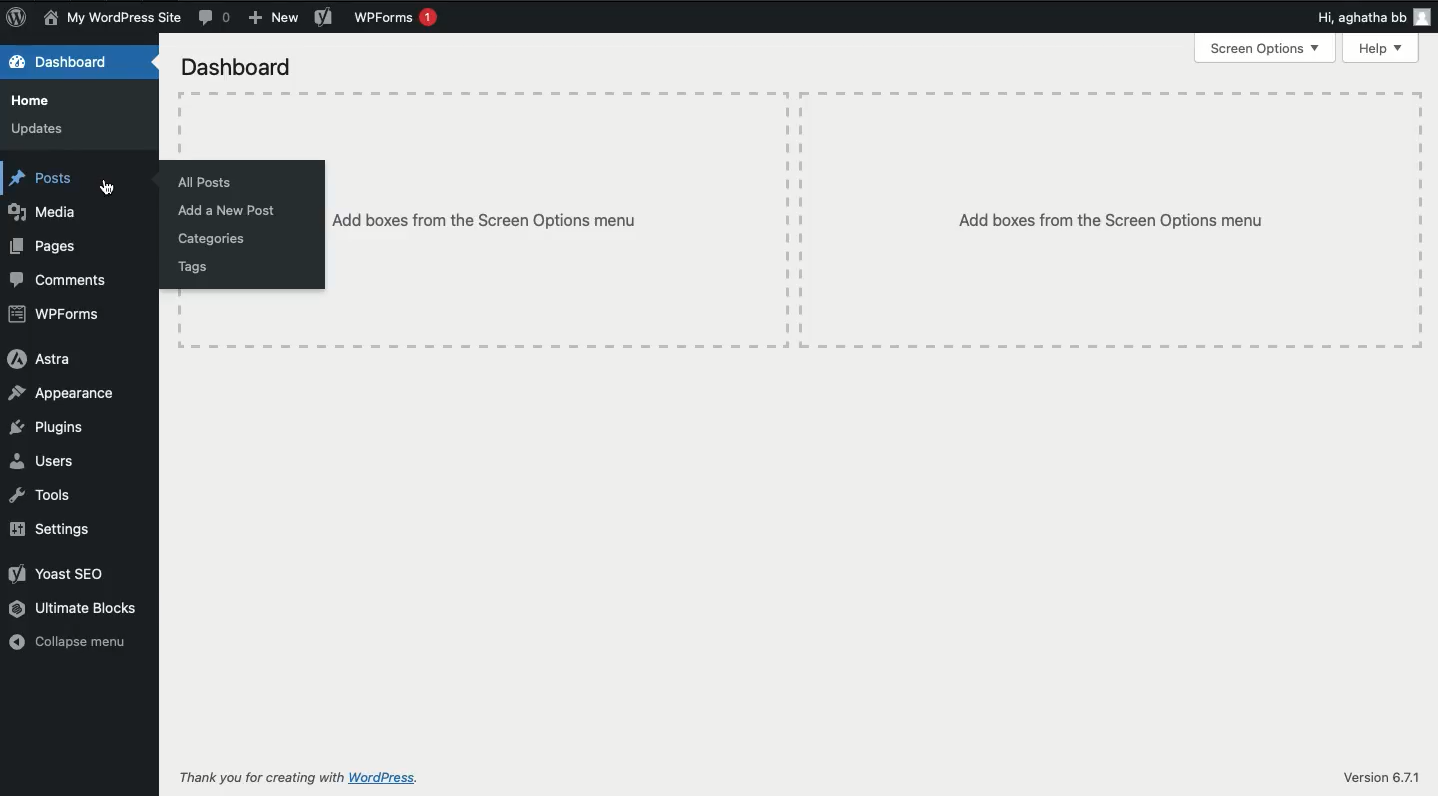  Describe the element at coordinates (208, 183) in the screenshot. I see `All posts ` at that location.